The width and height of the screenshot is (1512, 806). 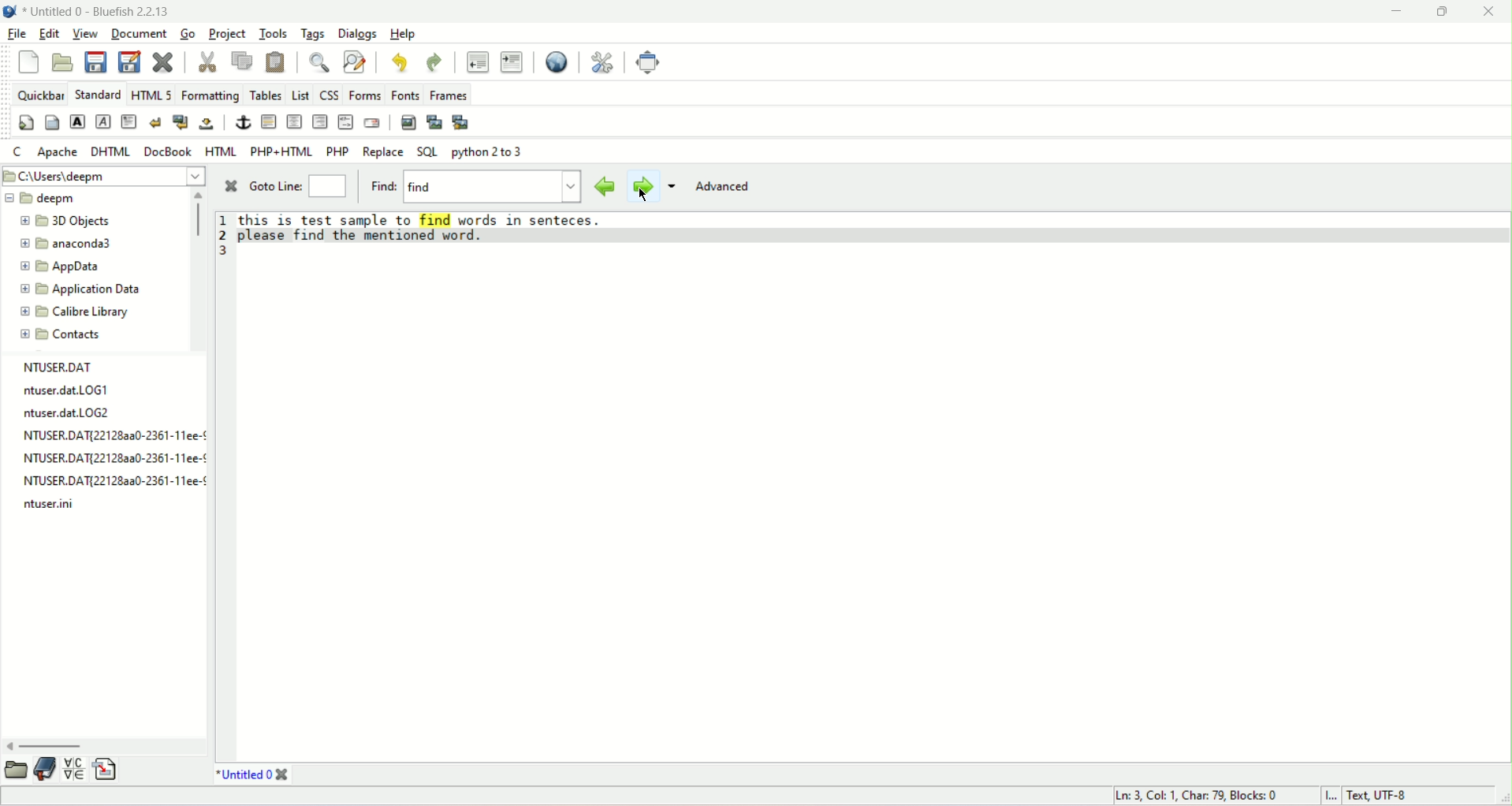 What do you see at coordinates (399, 63) in the screenshot?
I see `undo` at bounding box center [399, 63].